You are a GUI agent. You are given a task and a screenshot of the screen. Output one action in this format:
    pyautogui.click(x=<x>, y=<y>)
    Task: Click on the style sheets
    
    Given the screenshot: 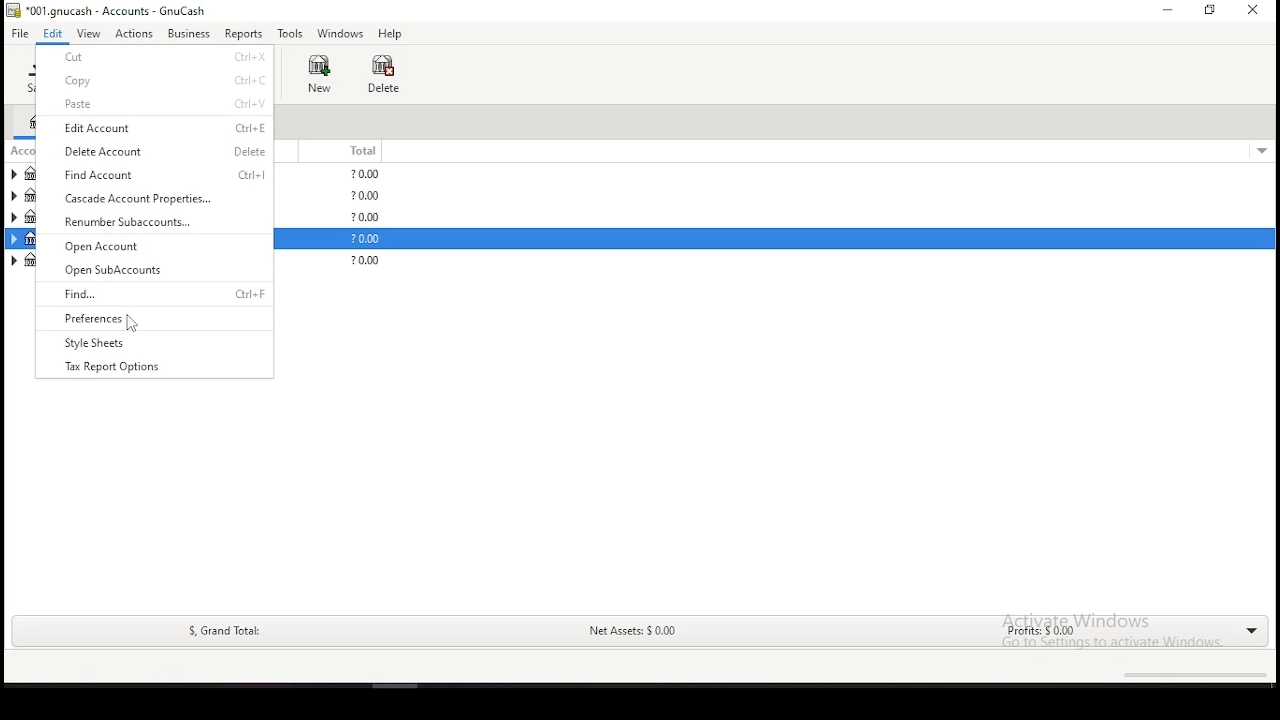 What is the action you would take?
    pyautogui.click(x=143, y=342)
    